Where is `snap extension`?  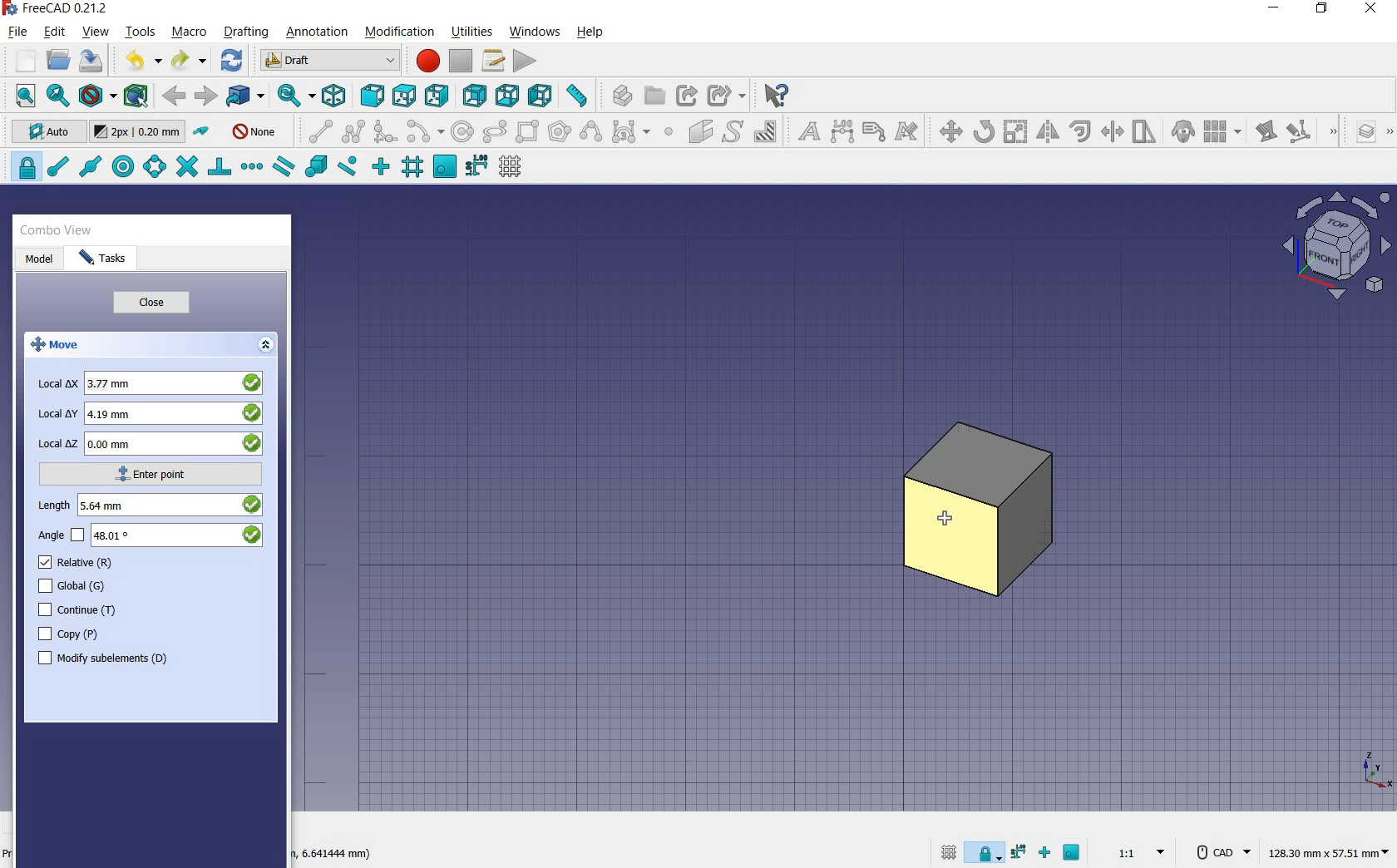 snap extension is located at coordinates (252, 167).